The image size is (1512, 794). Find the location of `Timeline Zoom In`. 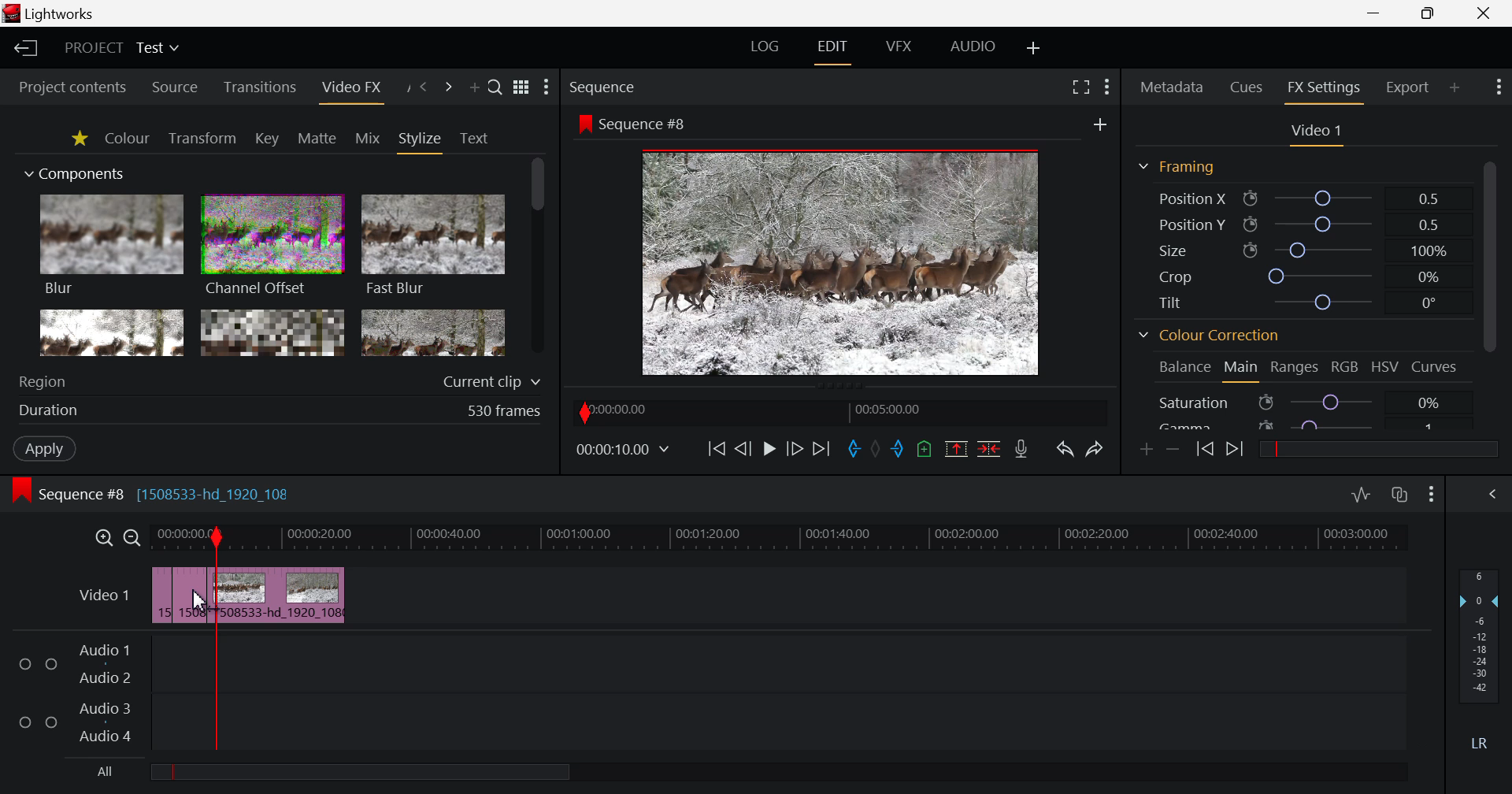

Timeline Zoom In is located at coordinates (102, 538).